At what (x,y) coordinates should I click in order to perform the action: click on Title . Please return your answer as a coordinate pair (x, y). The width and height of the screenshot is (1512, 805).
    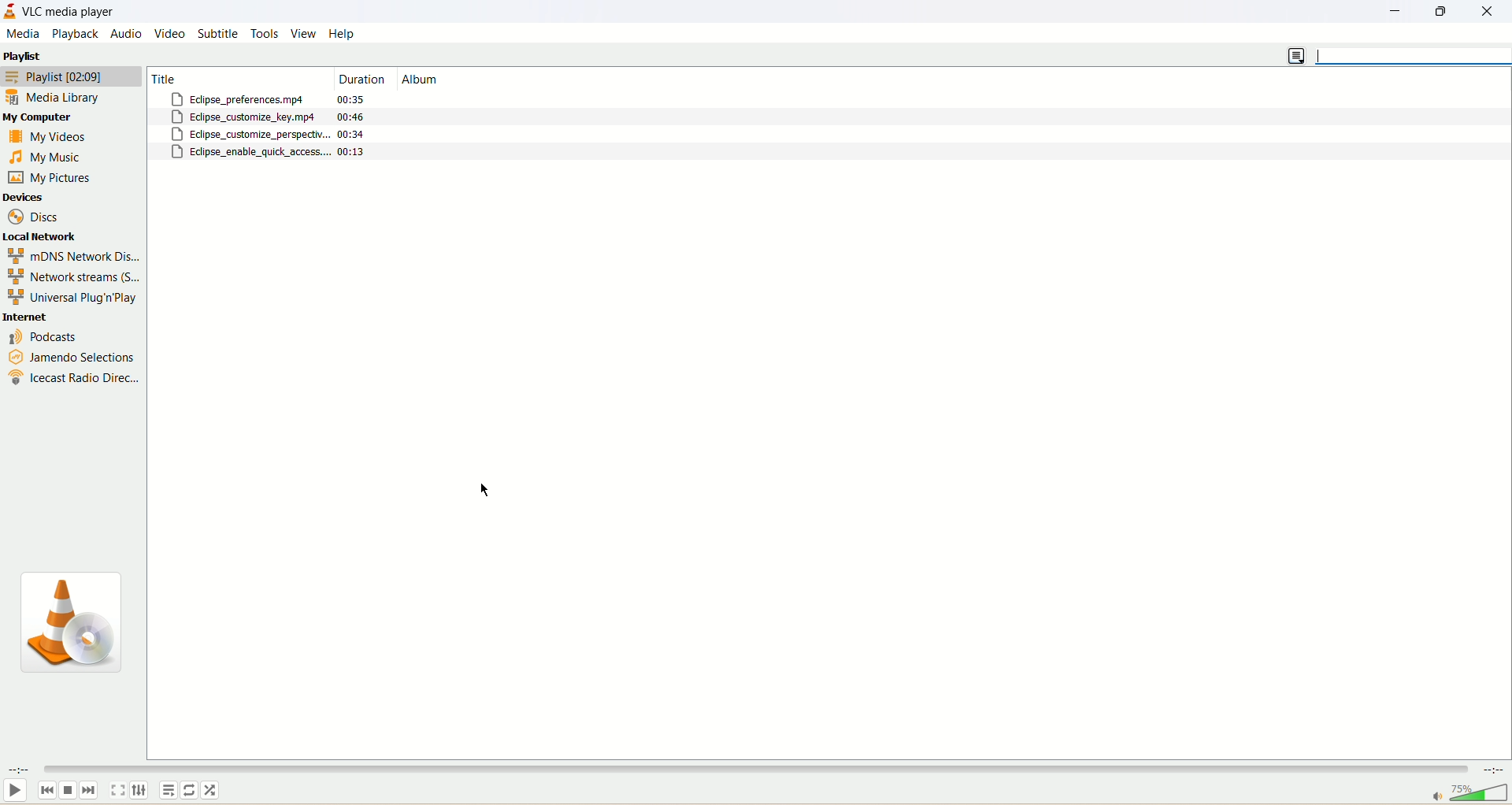
    Looking at the image, I should click on (238, 78).